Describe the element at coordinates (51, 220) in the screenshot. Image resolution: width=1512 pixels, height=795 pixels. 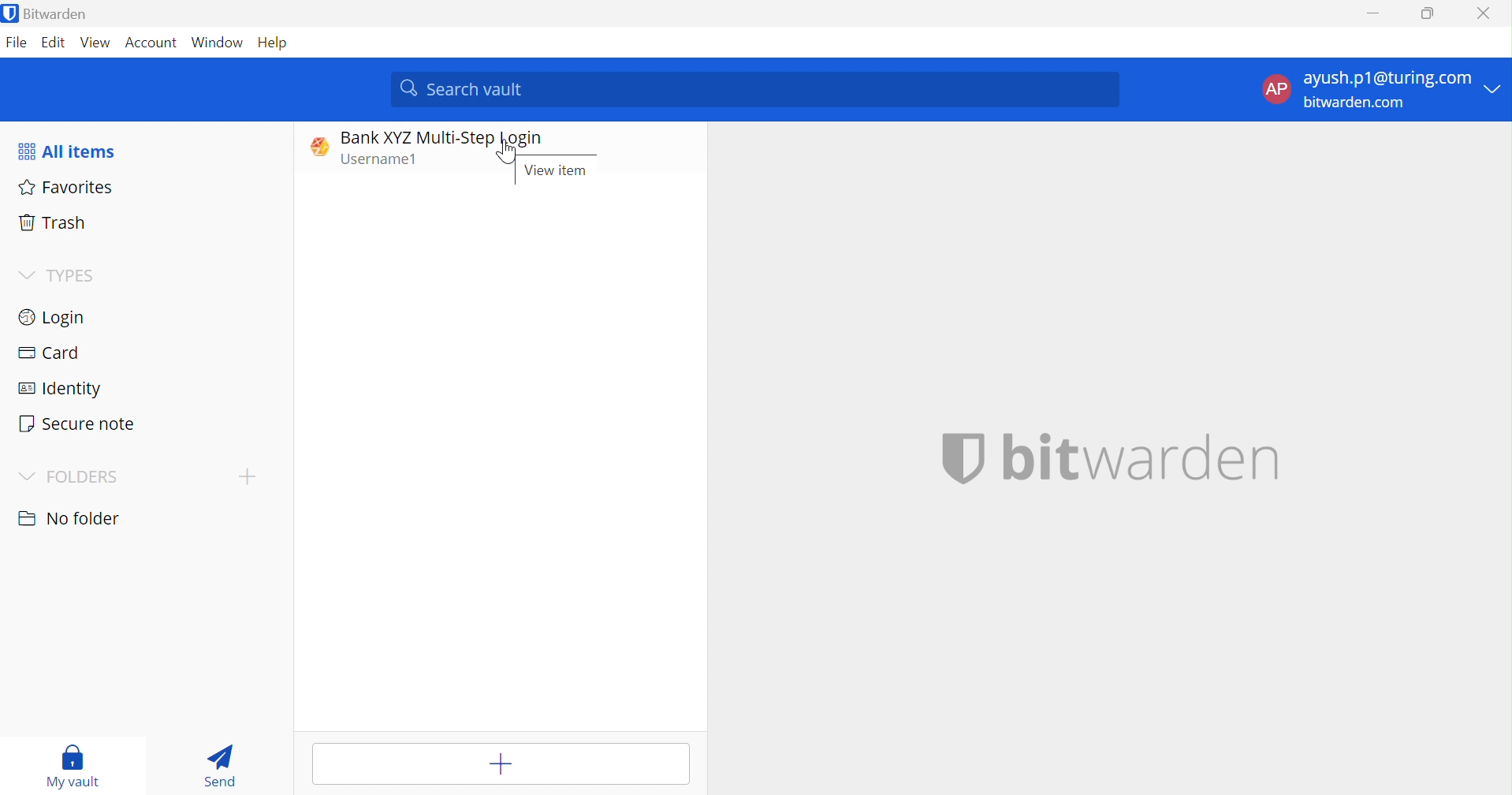
I see `Trash` at that location.